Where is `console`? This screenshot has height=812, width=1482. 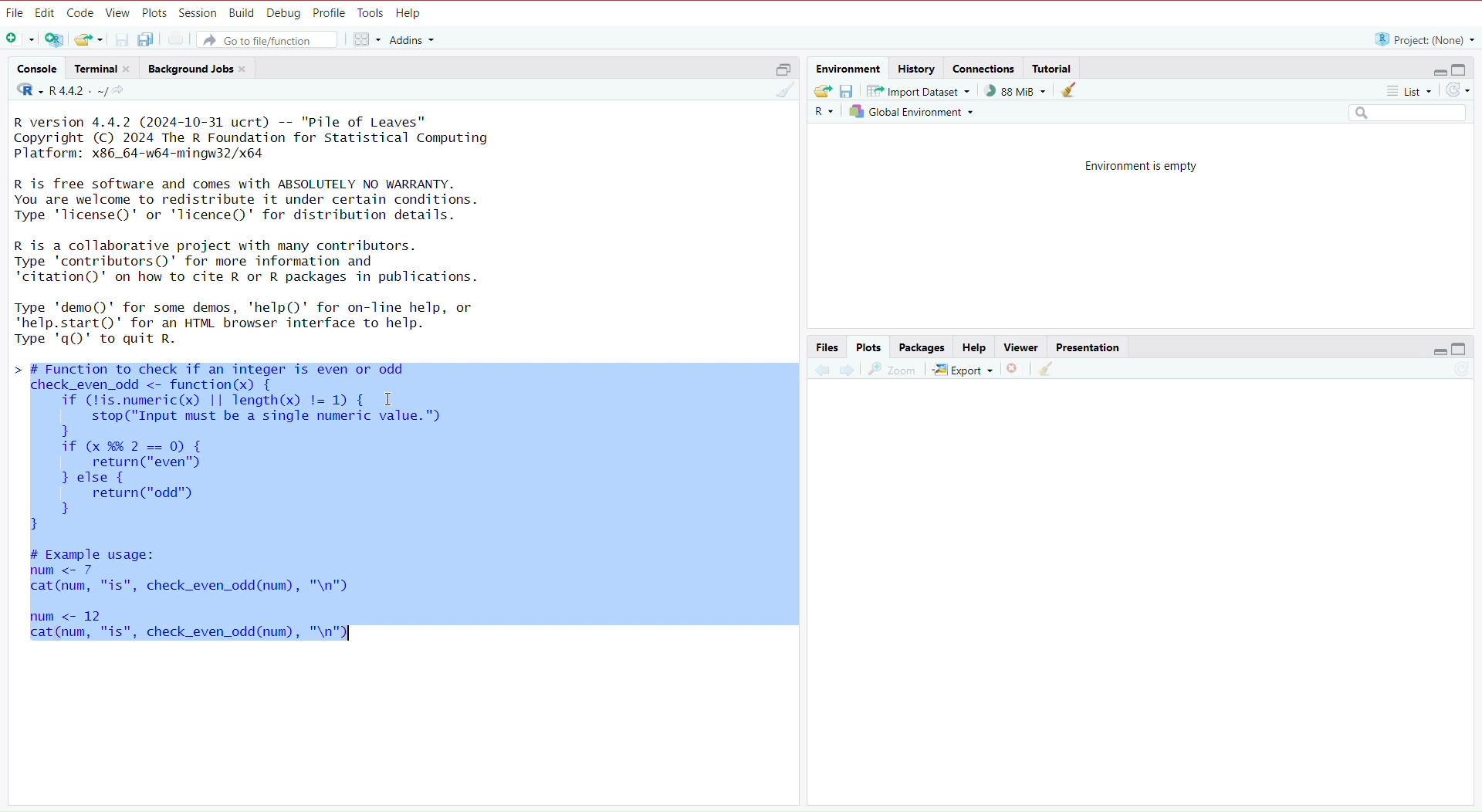
console is located at coordinates (36, 69).